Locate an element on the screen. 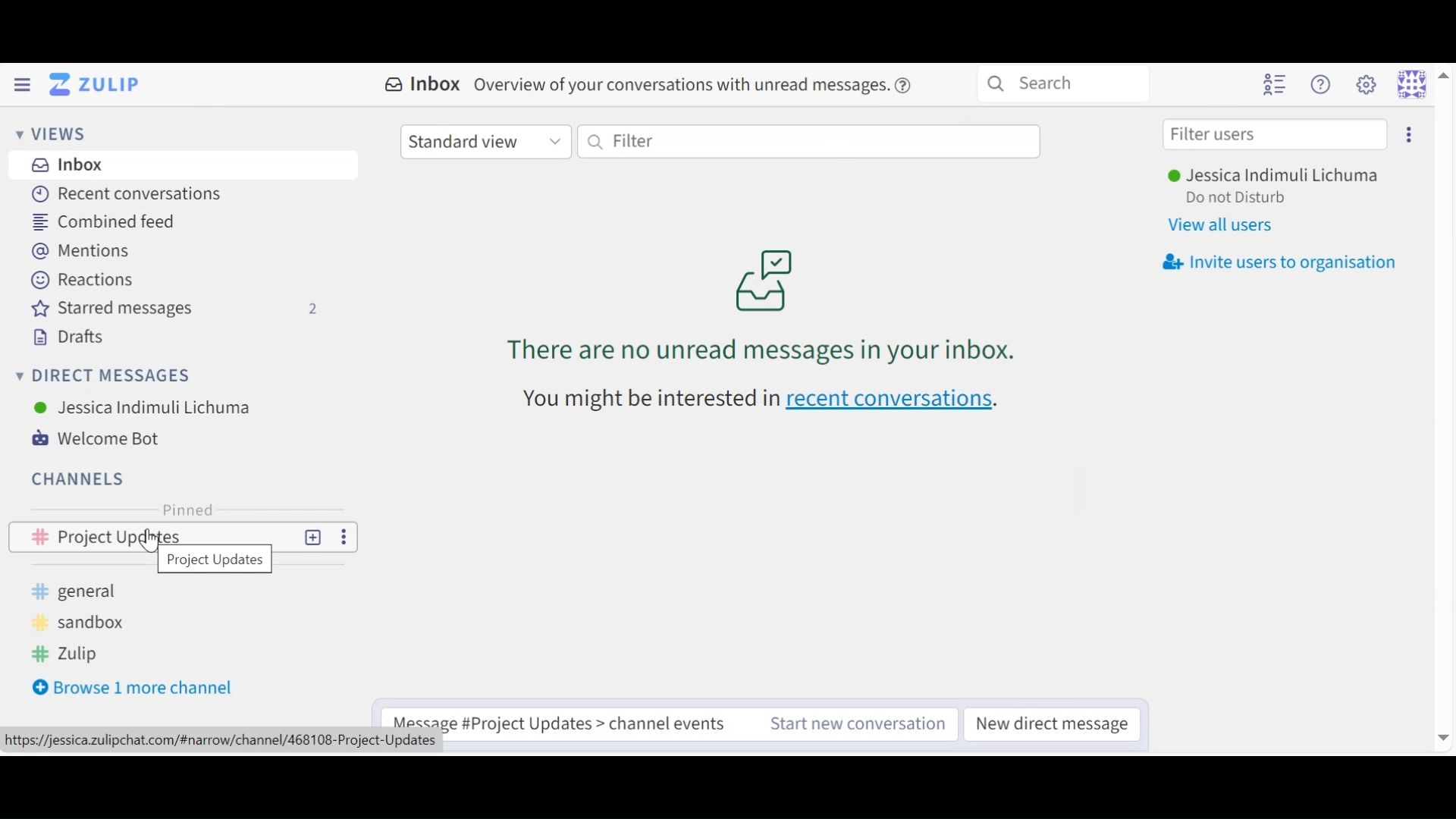 Image resolution: width=1456 pixels, height=819 pixels. project updates is located at coordinates (114, 537).